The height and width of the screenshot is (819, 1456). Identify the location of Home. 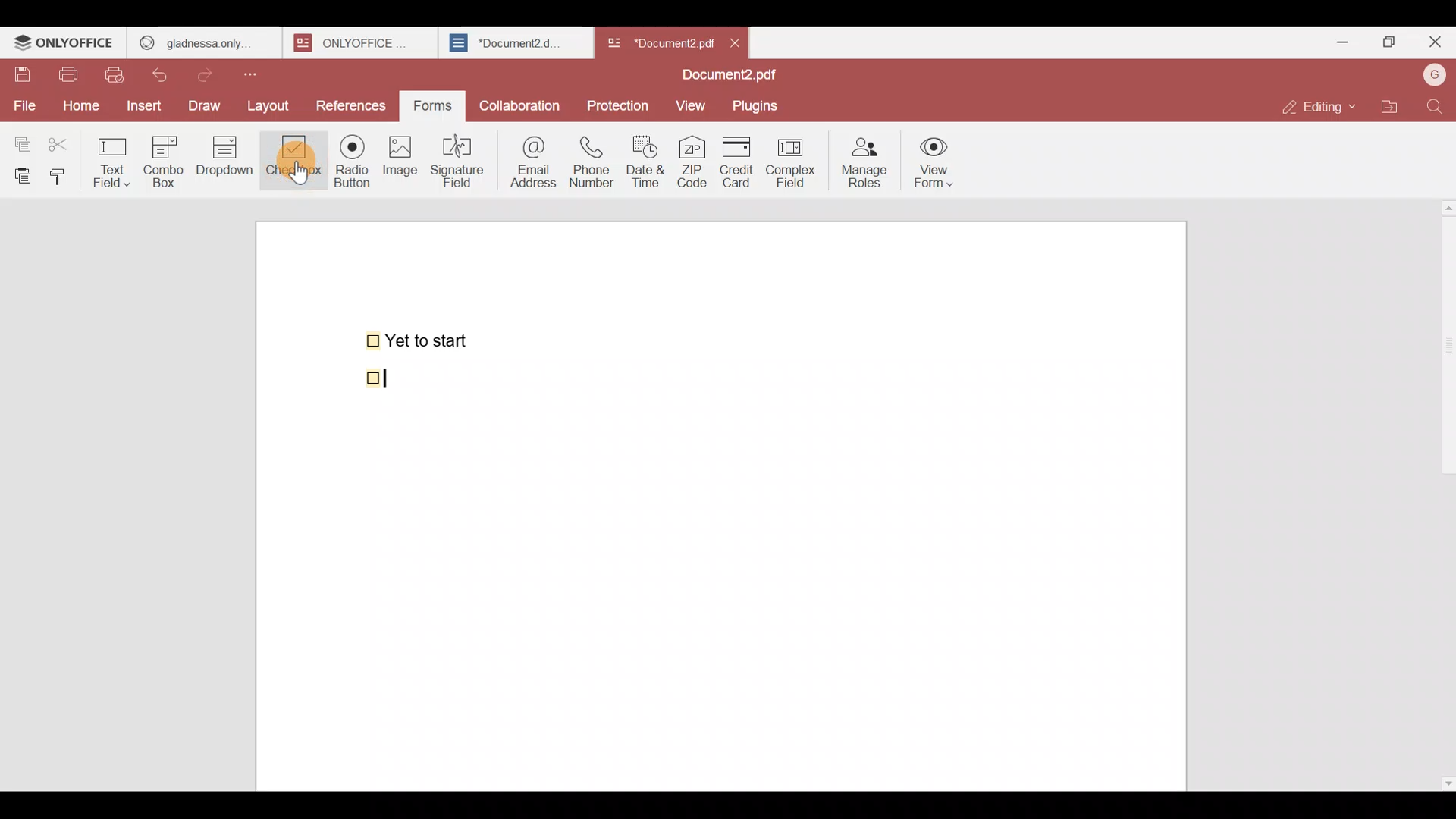
(78, 105).